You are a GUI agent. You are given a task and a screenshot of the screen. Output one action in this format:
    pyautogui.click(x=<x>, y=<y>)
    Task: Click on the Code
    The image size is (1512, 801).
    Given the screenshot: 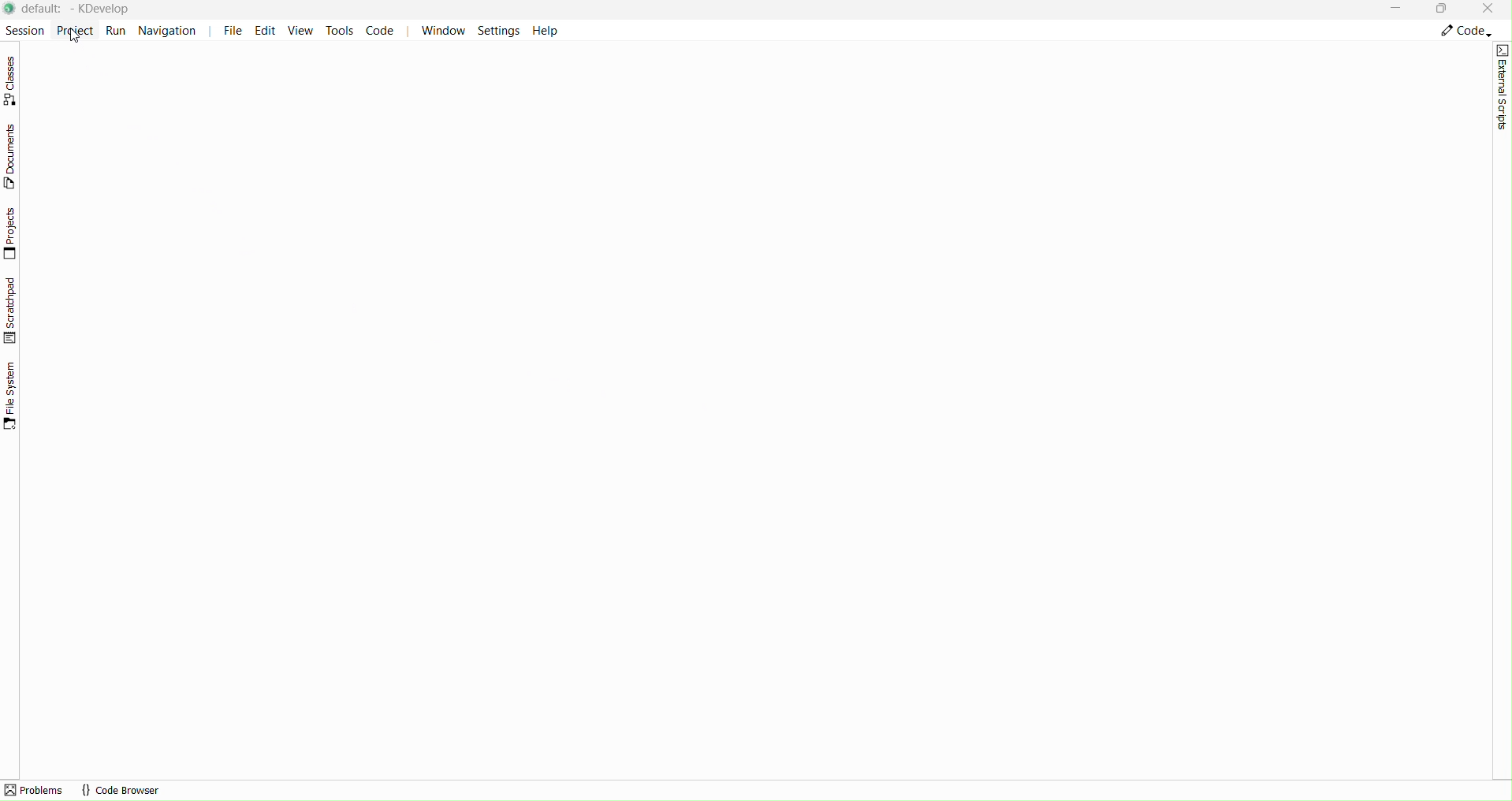 What is the action you would take?
    pyautogui.click(x=1465, y=32)
    